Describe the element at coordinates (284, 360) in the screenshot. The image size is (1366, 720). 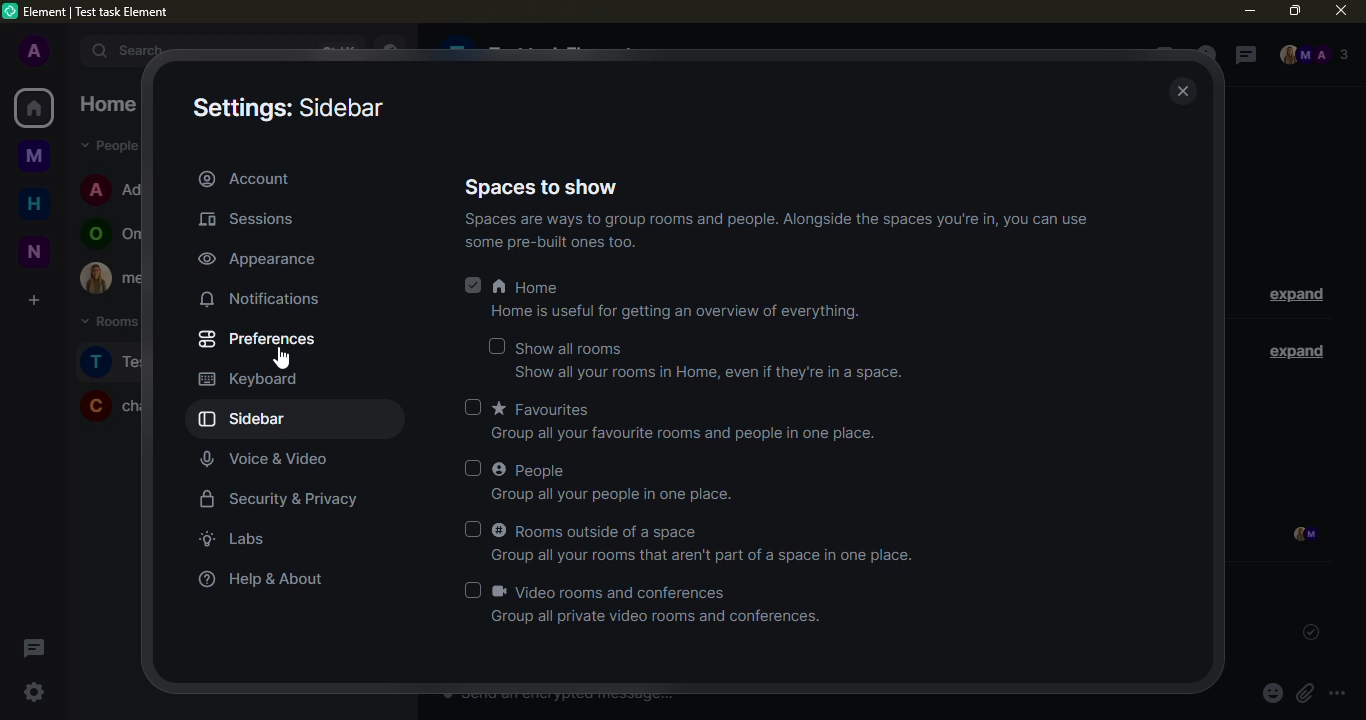
I see `cursor` at that location.